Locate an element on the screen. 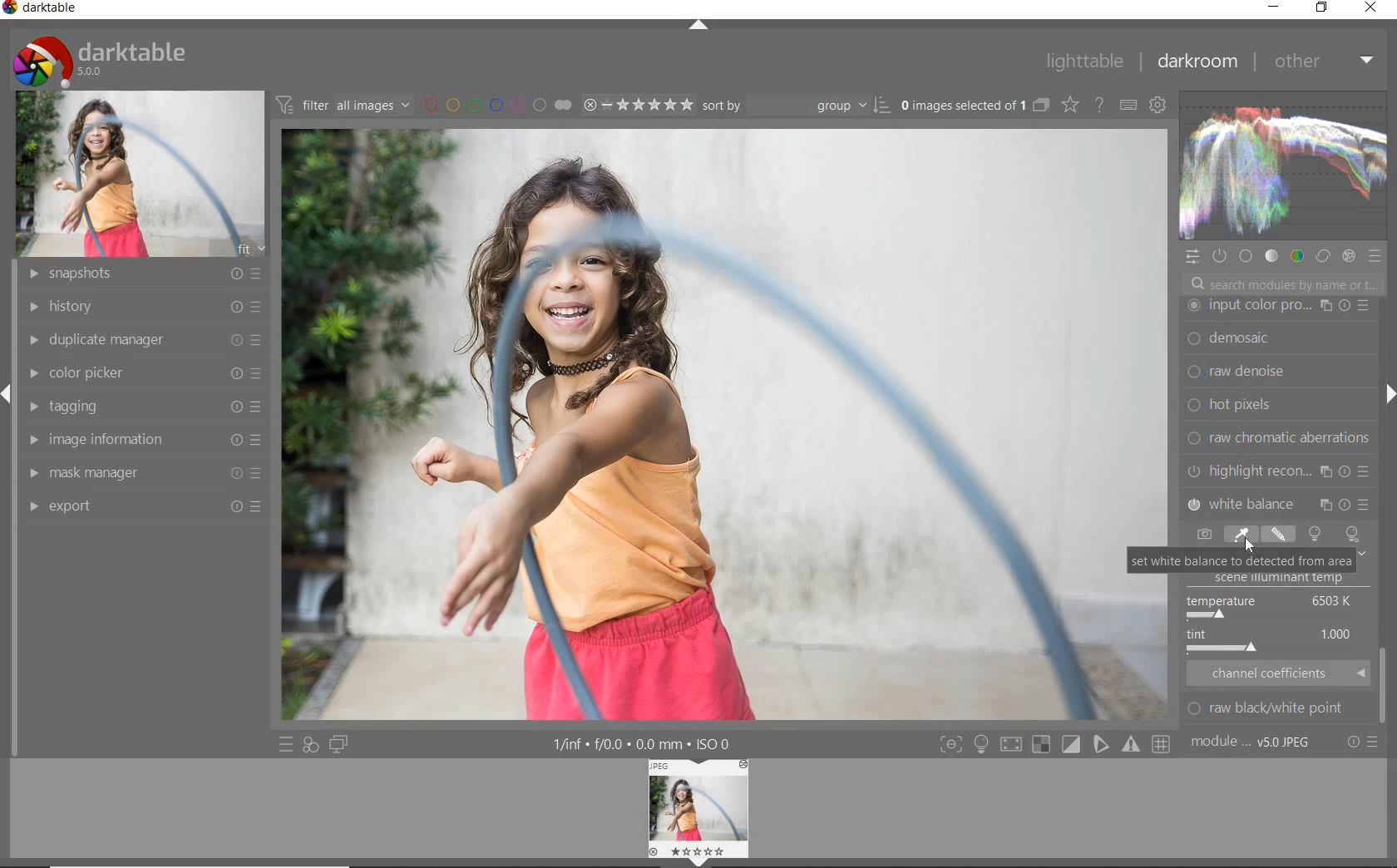  history is located at coordinates (139, 305).